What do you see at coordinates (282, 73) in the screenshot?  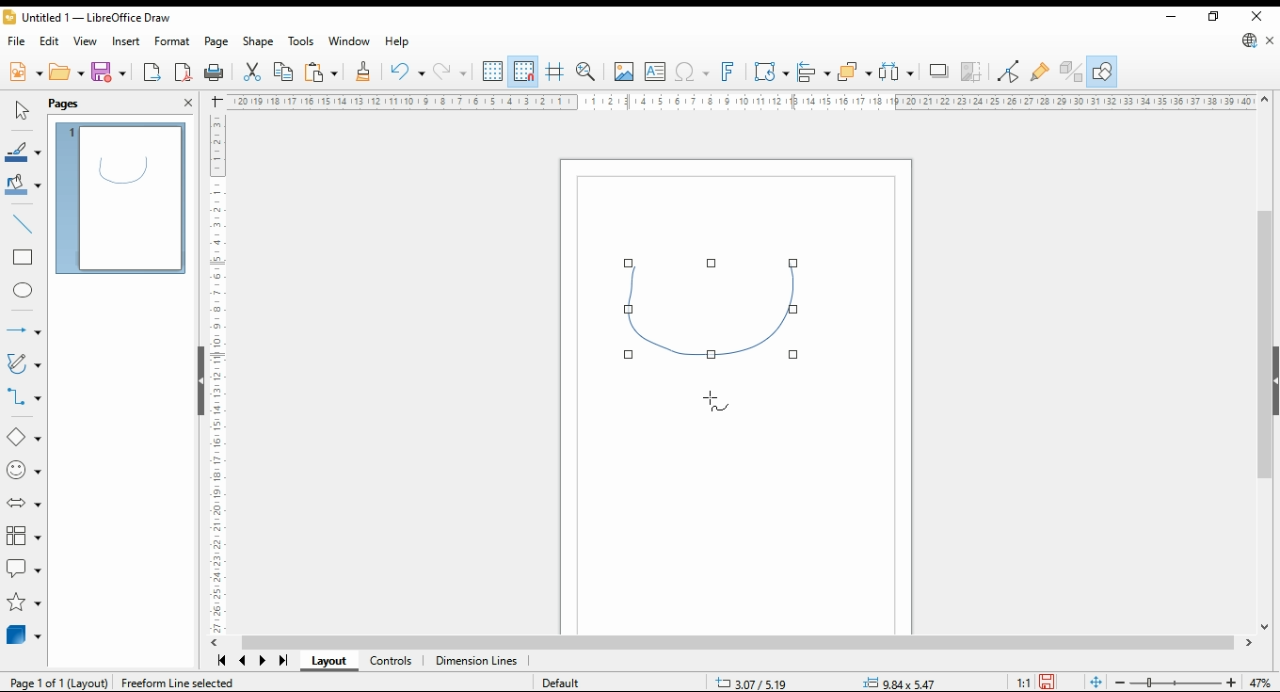 I see `copy` at bounding box center [282, 73].